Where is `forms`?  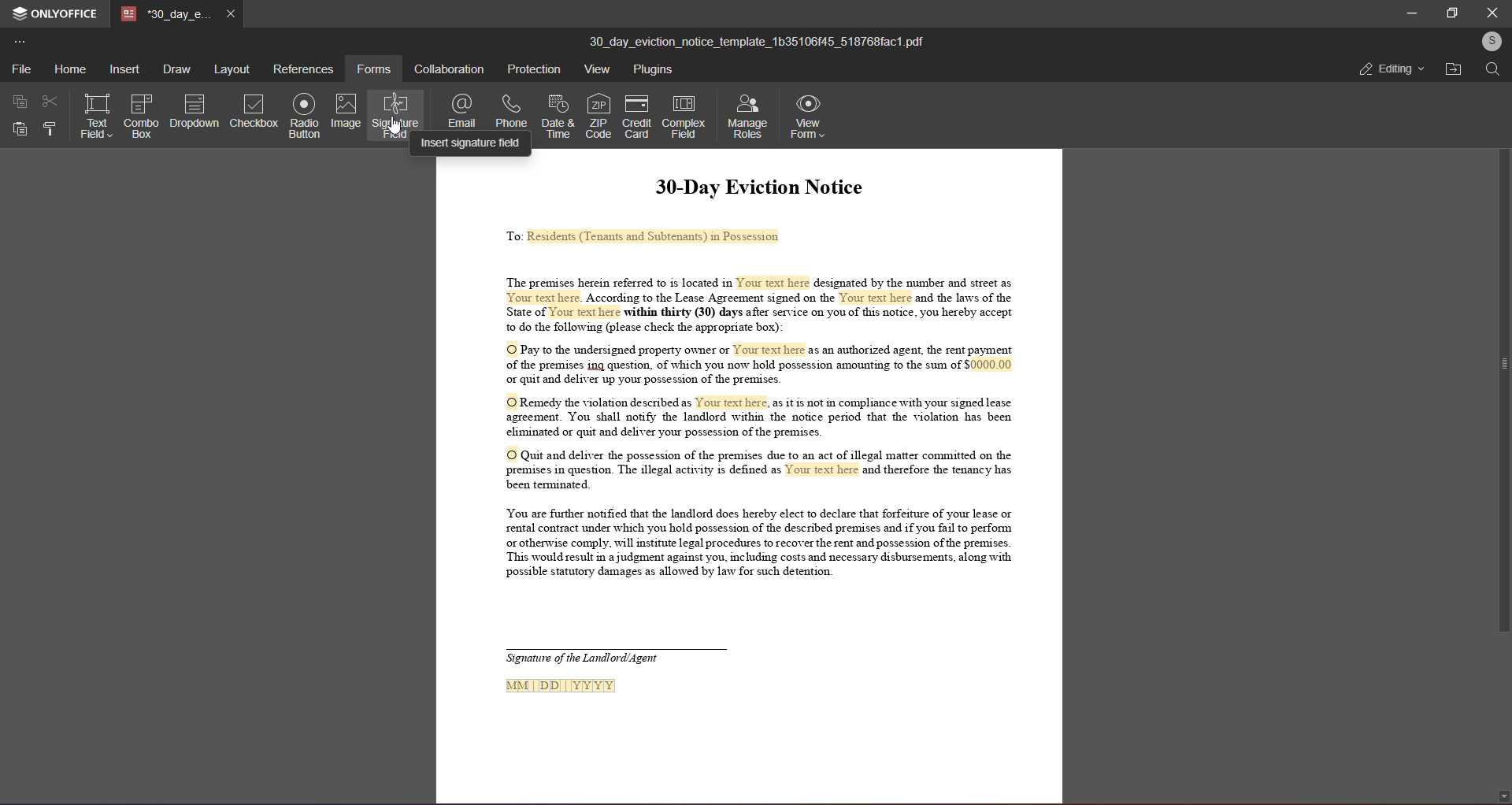 forms is located at coordinates (376, 67).